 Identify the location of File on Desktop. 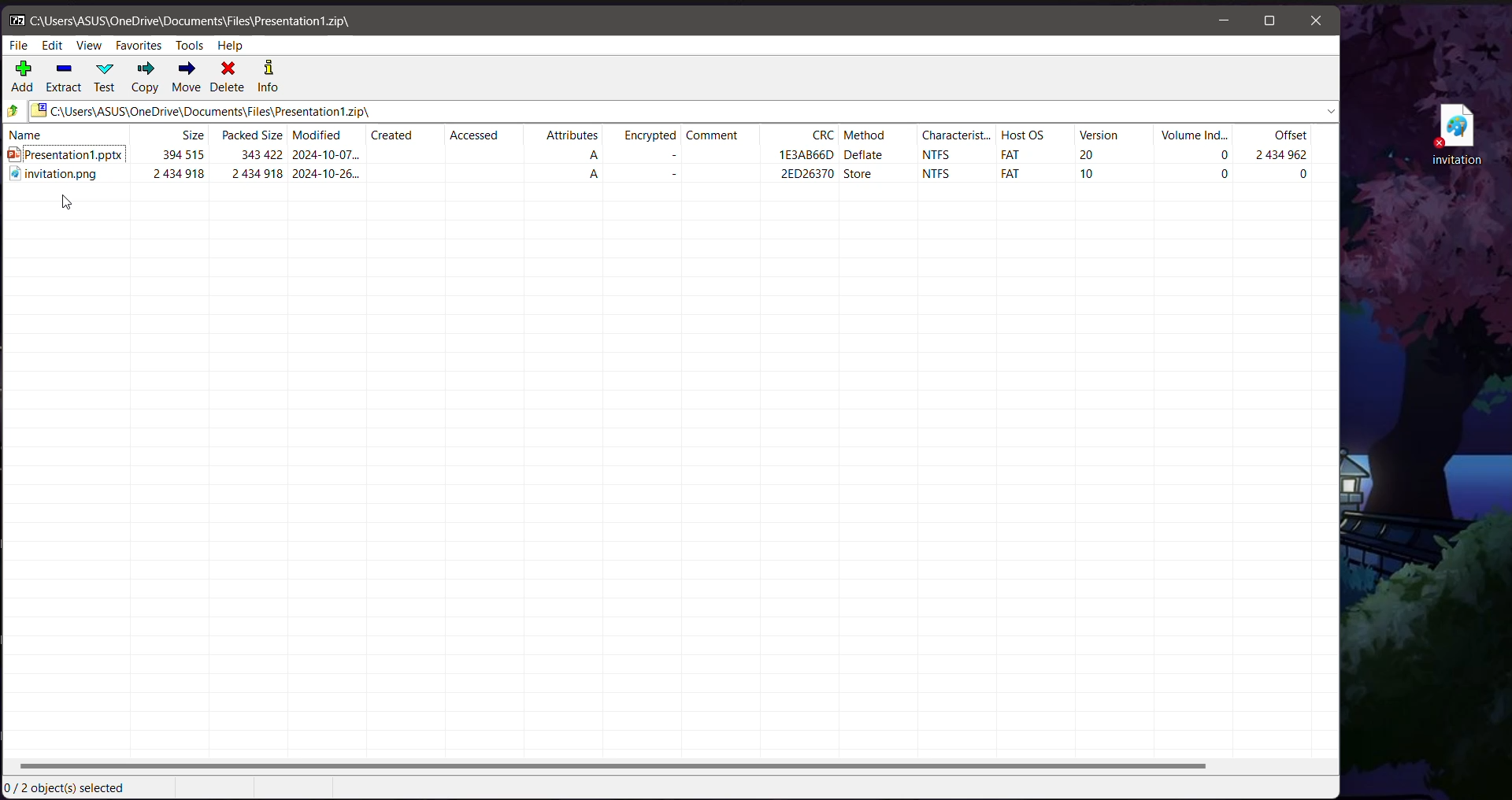
(1454, 135).